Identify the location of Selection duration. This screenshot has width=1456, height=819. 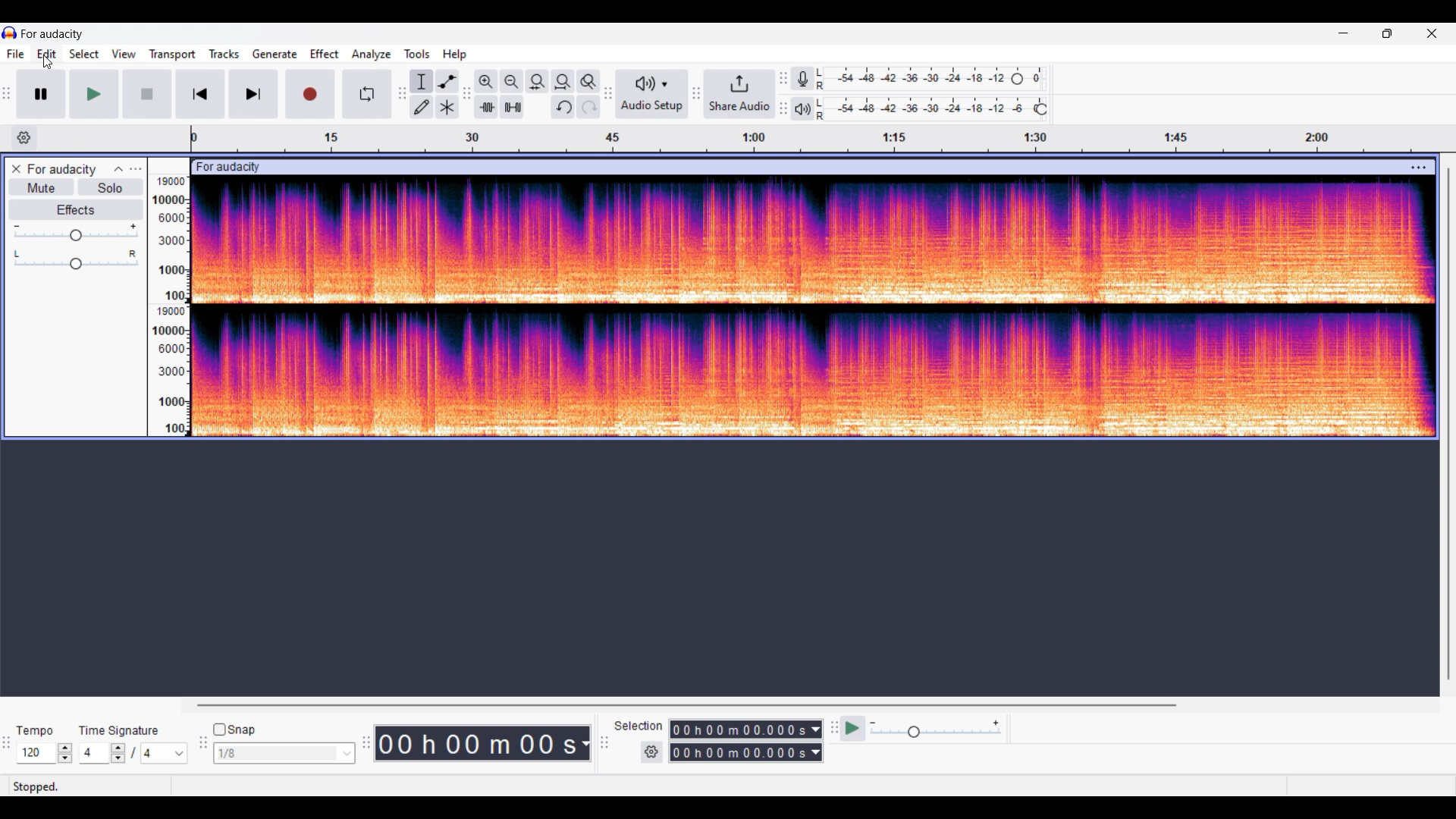
(739, 741).